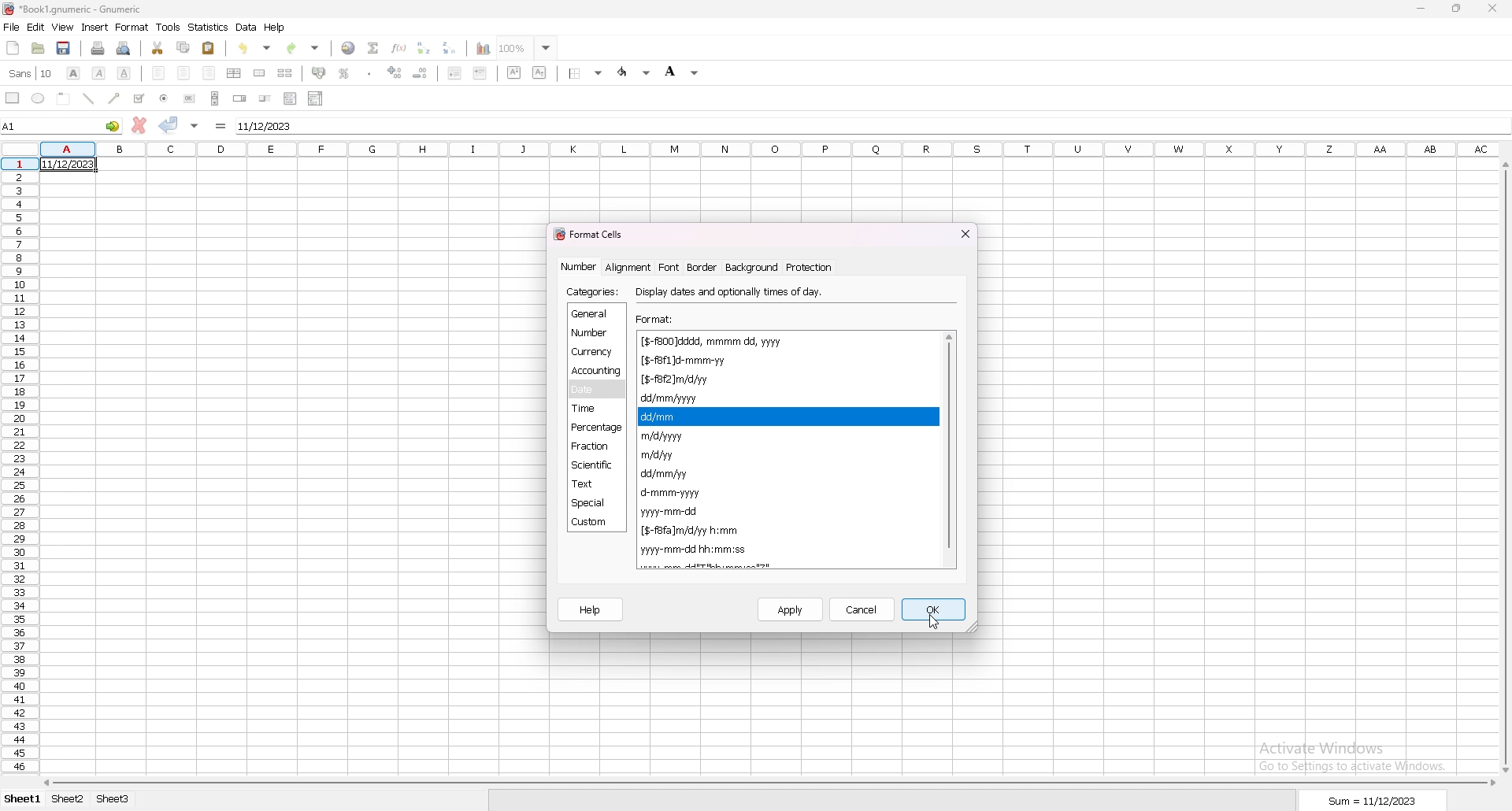 The width and height of the screenshot is (1512, 811). I want to click on chart, so click(484, 49).